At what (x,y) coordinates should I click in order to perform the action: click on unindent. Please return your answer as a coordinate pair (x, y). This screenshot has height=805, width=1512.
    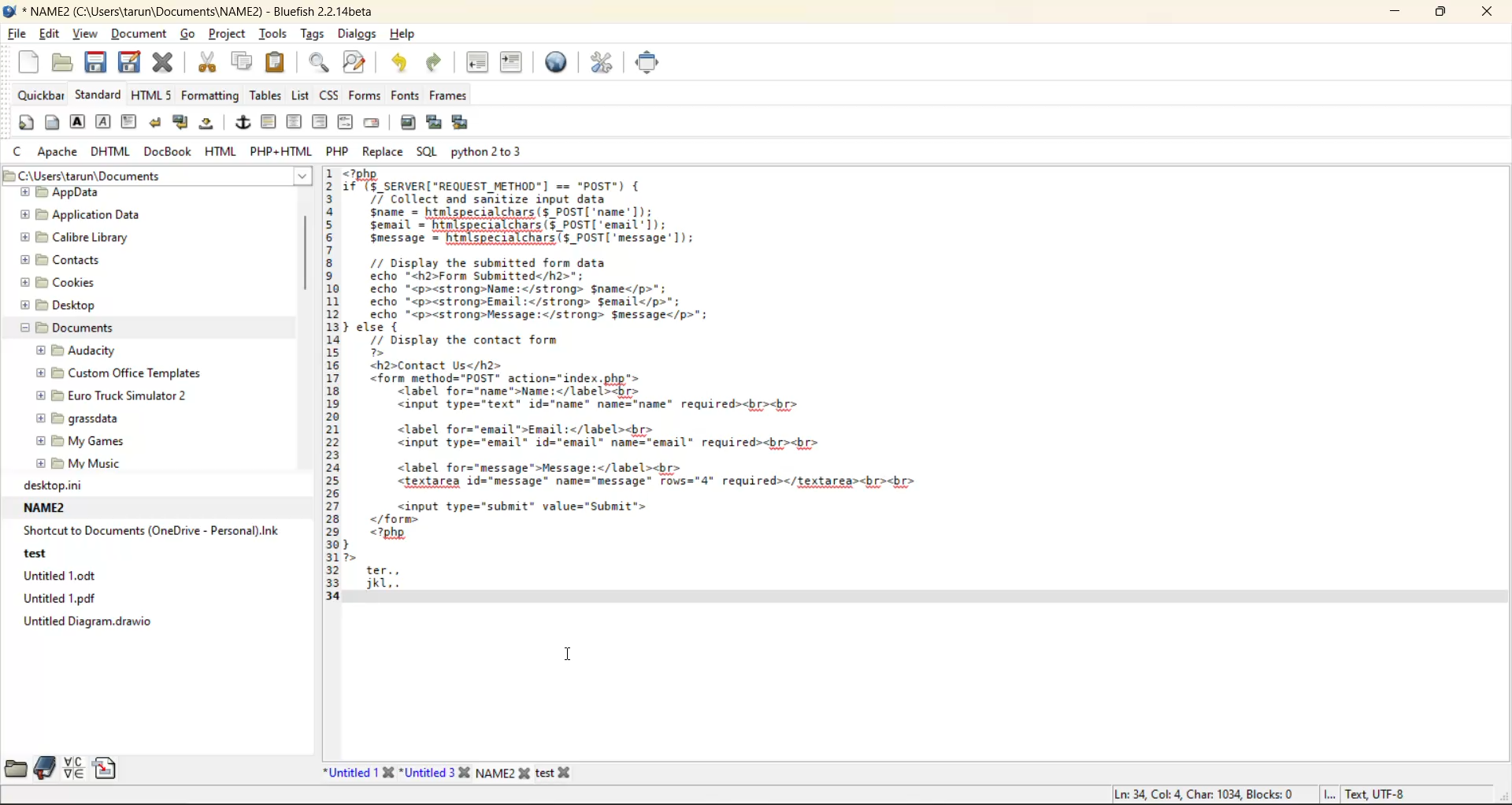
    Looking at the image, I should click on (477, 62).